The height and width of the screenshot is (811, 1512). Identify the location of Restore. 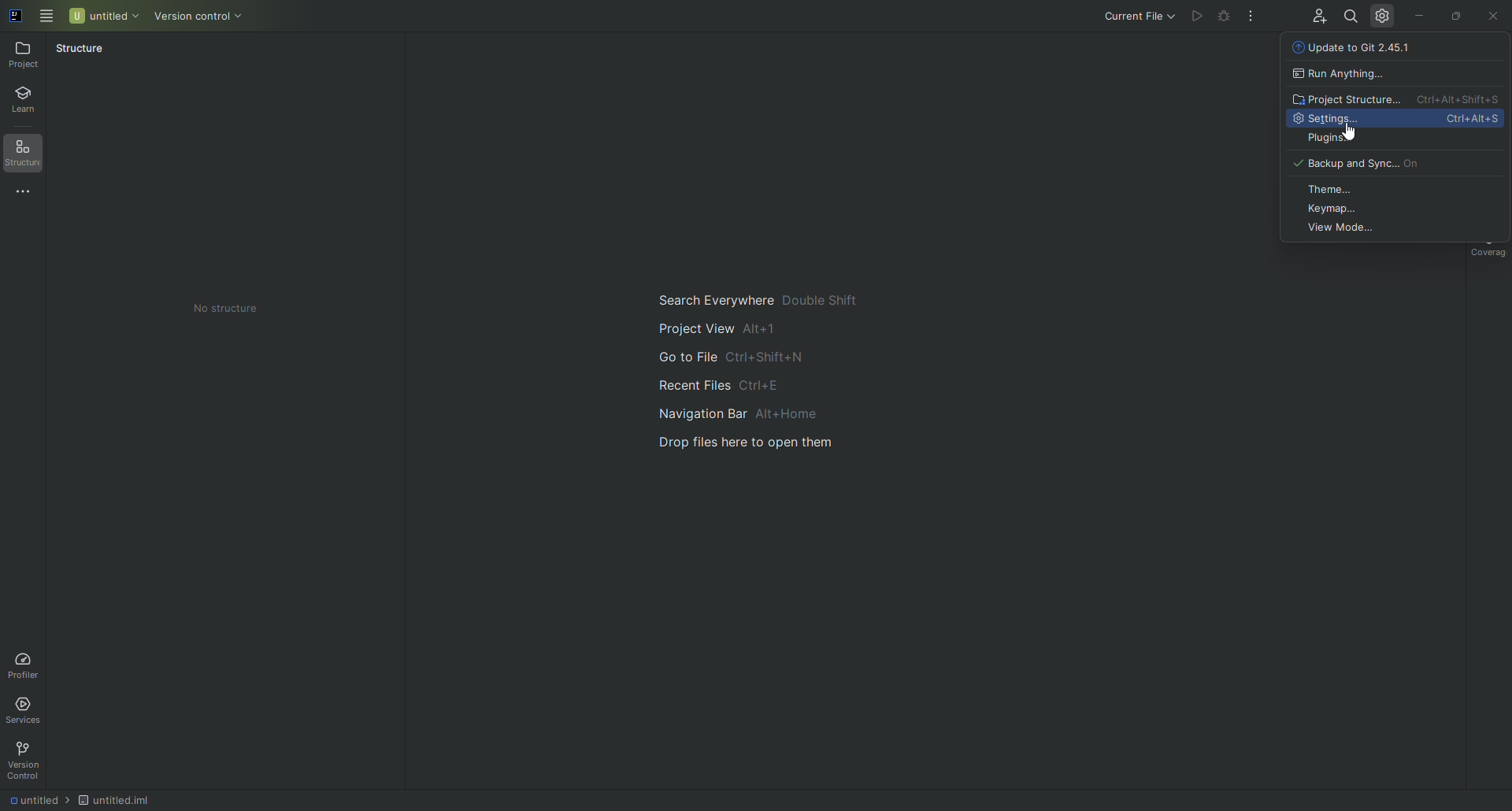
(1454, 15).